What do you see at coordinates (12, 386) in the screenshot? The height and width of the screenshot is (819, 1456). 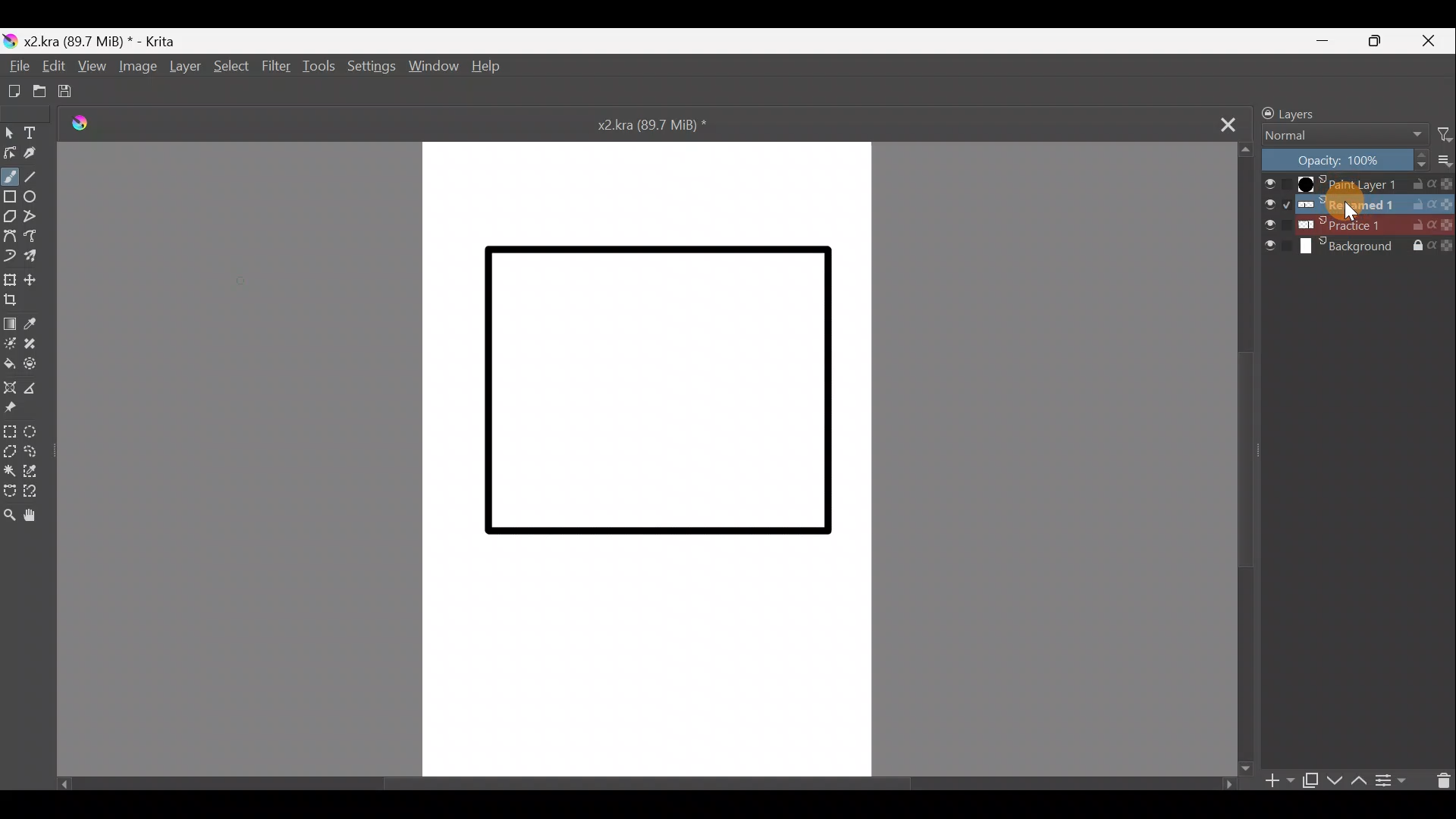 I see `Assistant tool` at bounding box center [12, 386].